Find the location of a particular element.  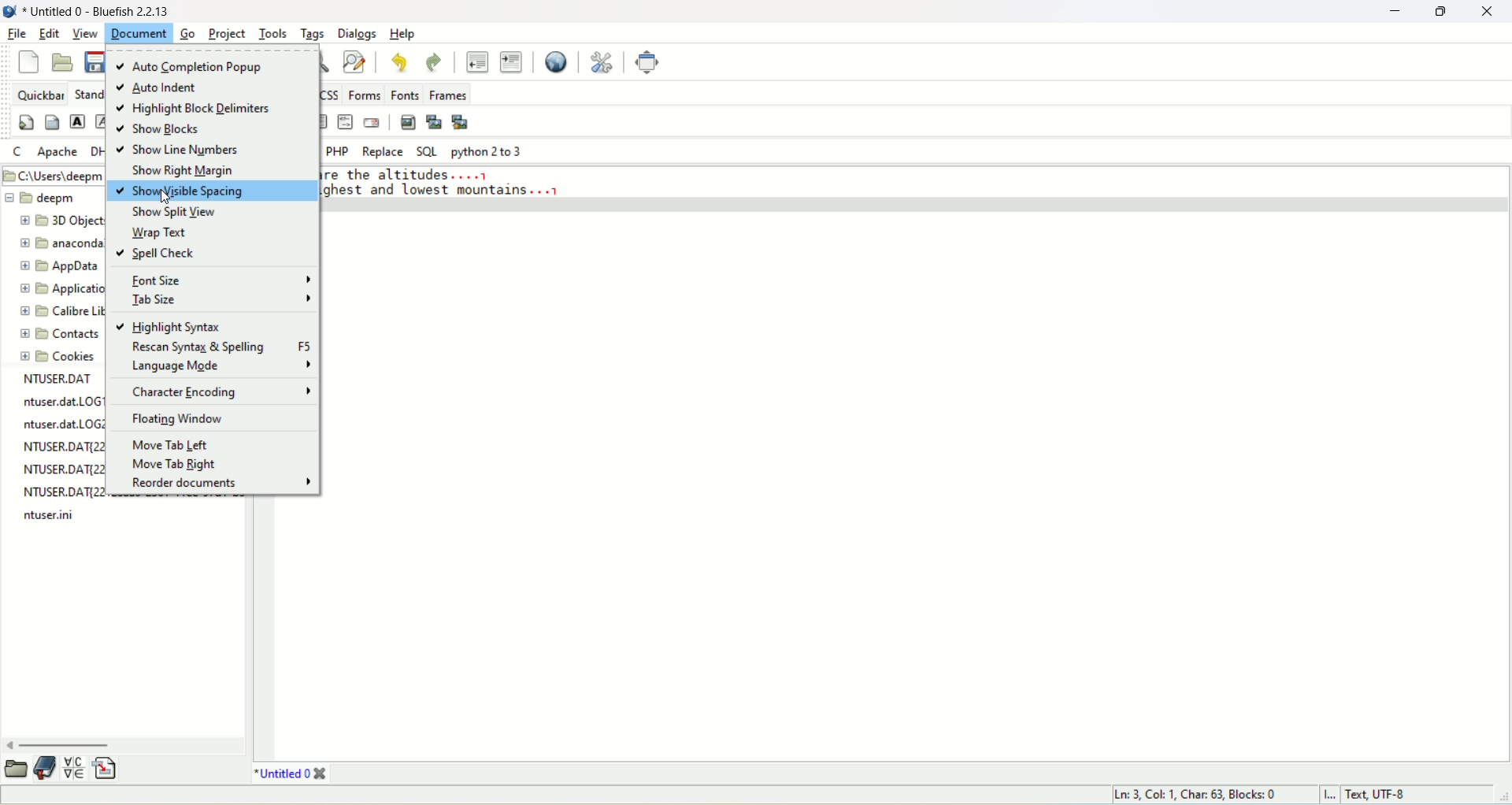

highlight block delimiters is located at coordinates (191, 109).